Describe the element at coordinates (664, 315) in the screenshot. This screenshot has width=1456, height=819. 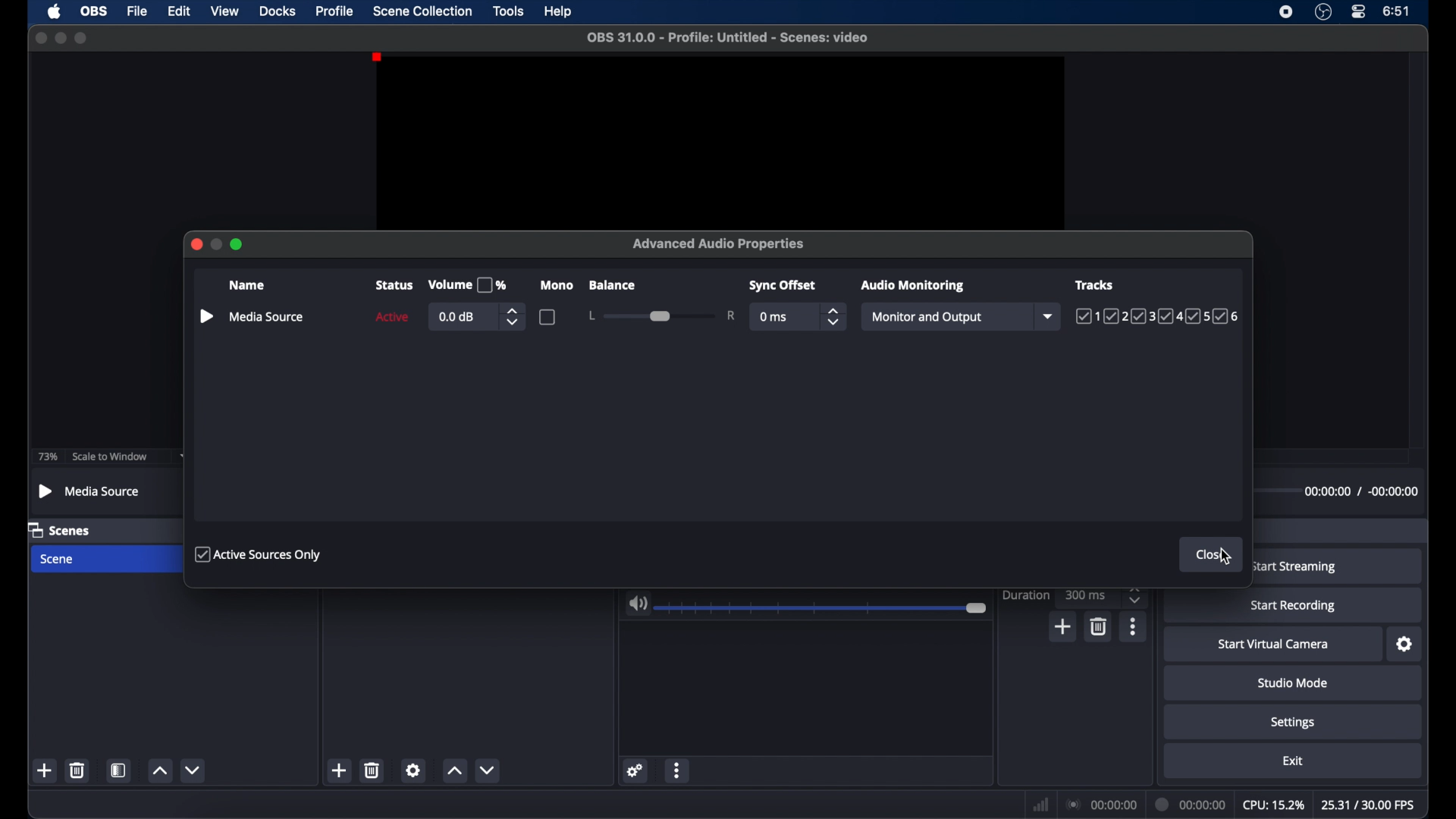
I see `slider` at that location.